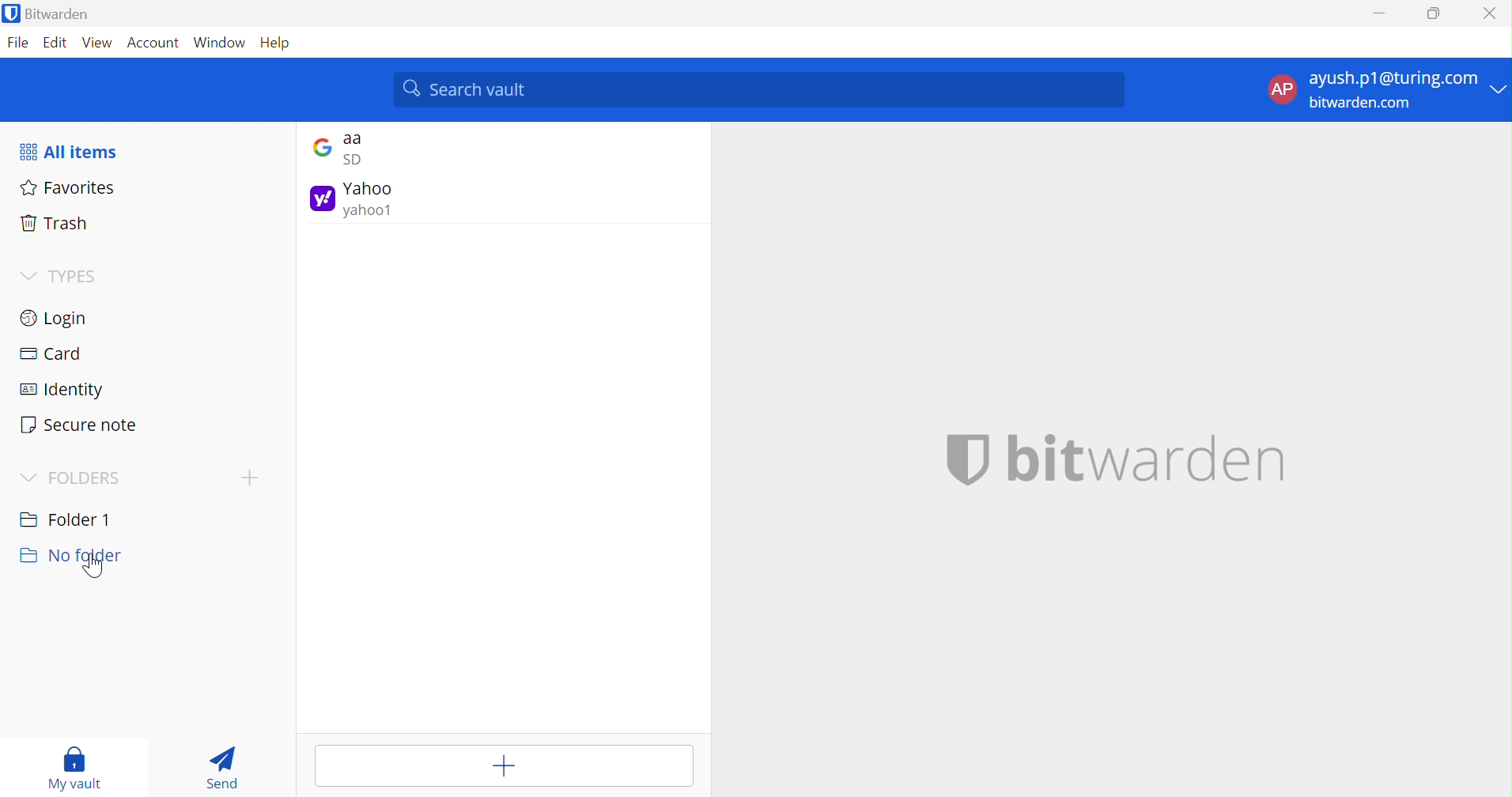 Image resolution: width=1512 pixels, height=797 pixels. I want to click on search vault, so click(762, 90).